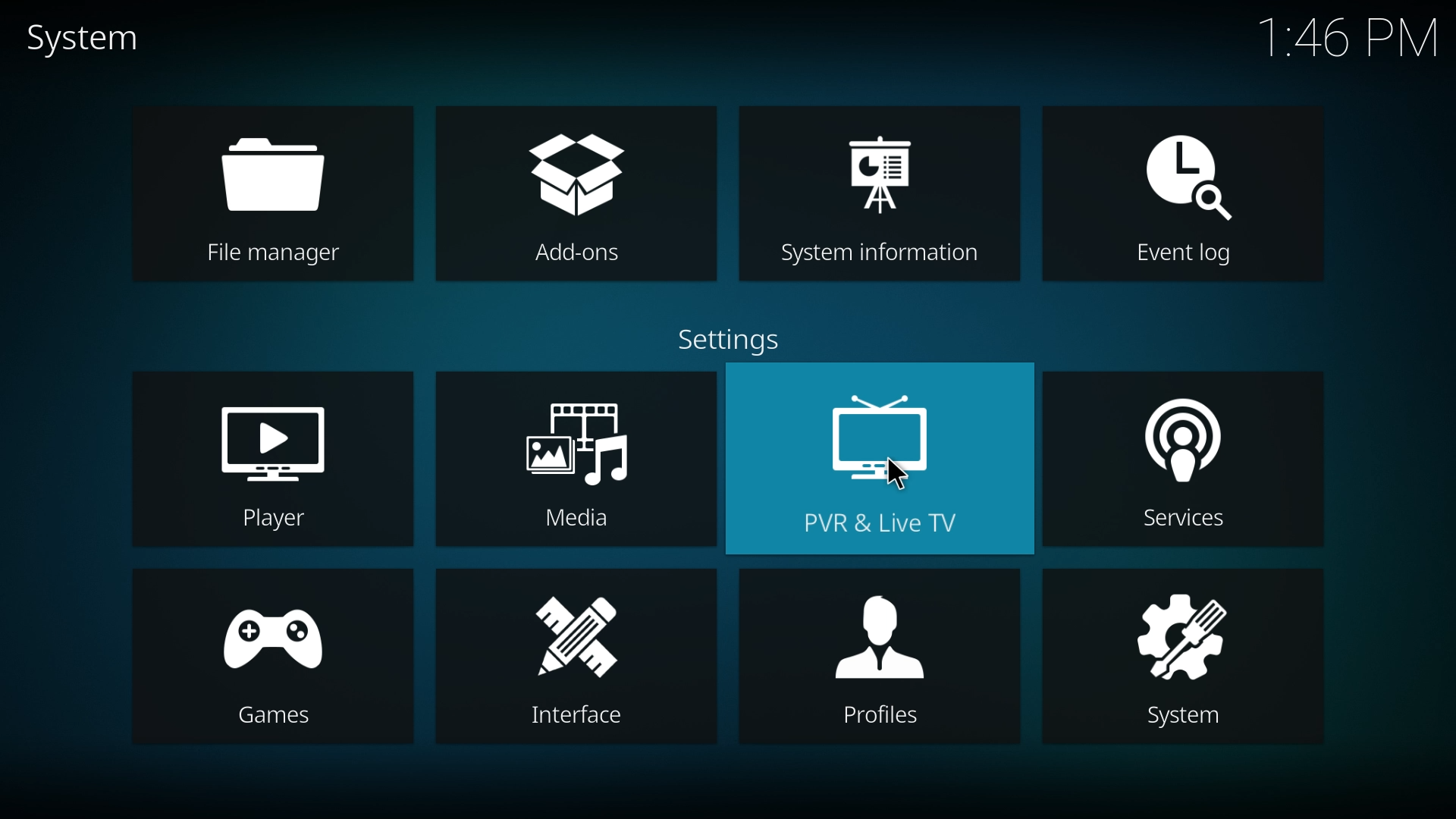 This screenshot has width=1456, height=819. Describe the element at coordinates (899, 475) in the screenshot. I see `cursor` at that location.